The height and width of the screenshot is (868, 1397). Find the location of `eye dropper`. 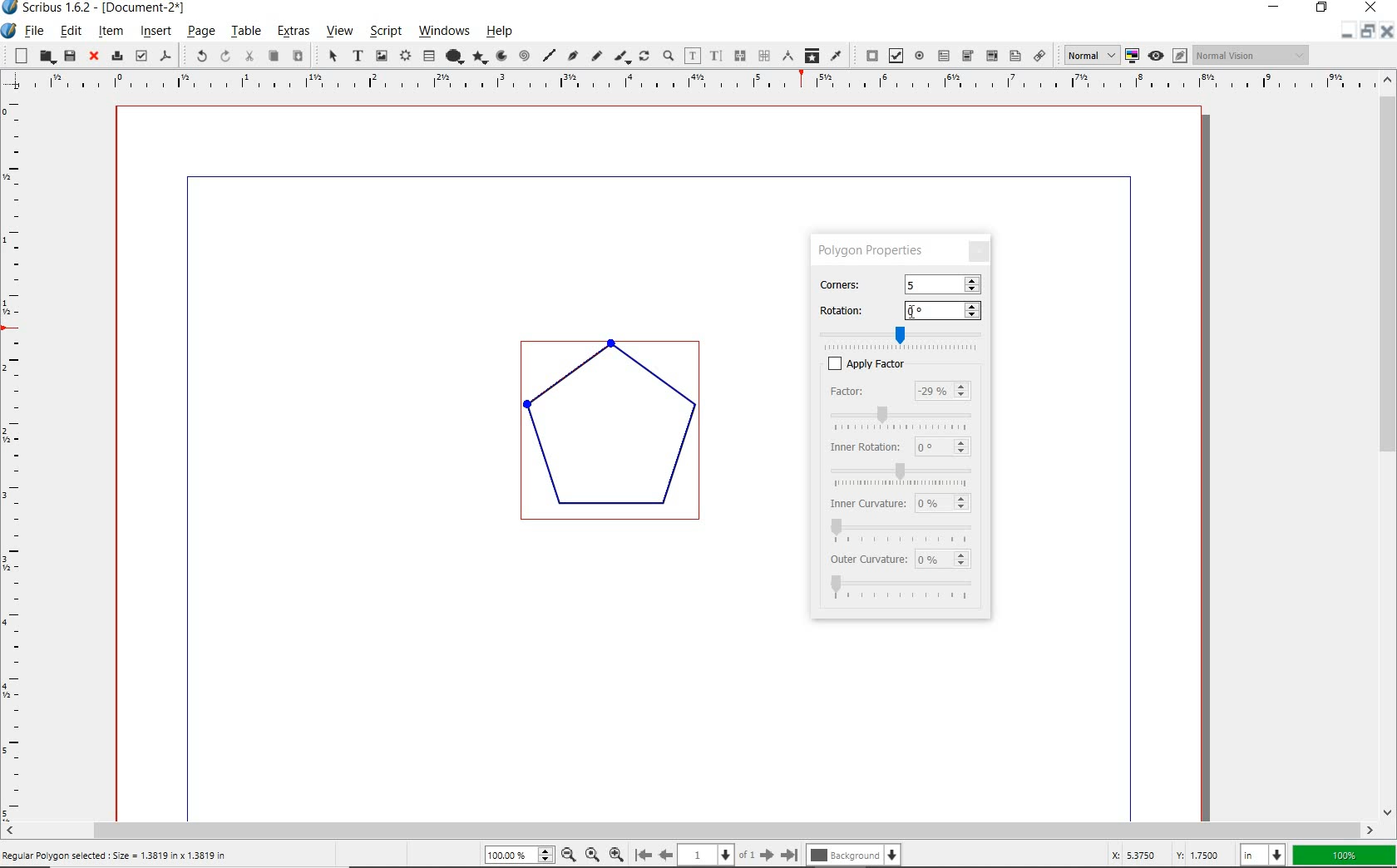

eye dropper is located at coordinates (837, 55).